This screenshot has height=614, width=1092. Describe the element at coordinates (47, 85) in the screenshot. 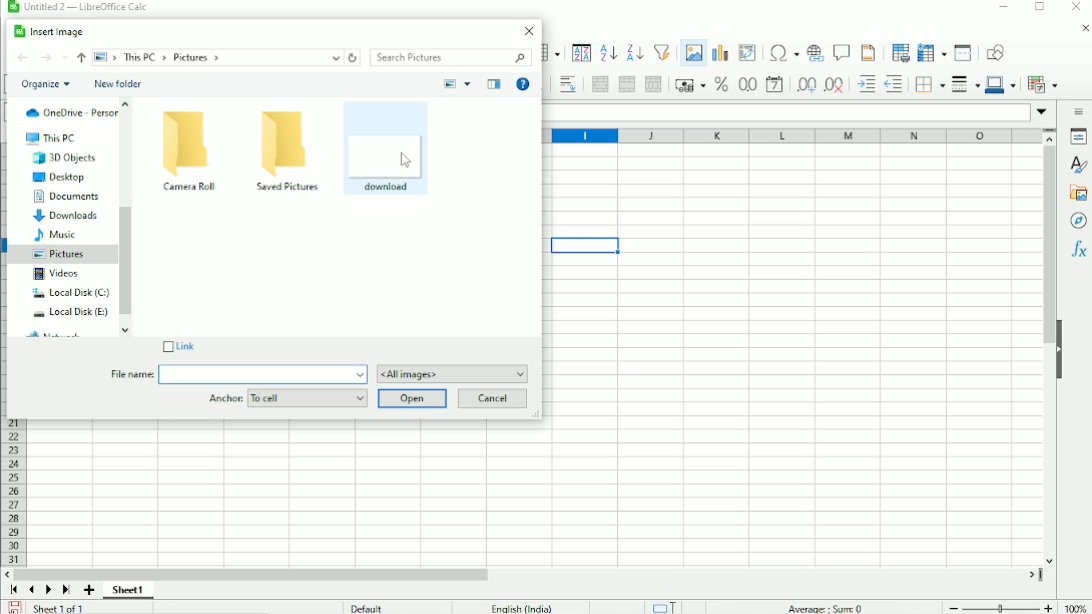

I see `Organize` at that location.